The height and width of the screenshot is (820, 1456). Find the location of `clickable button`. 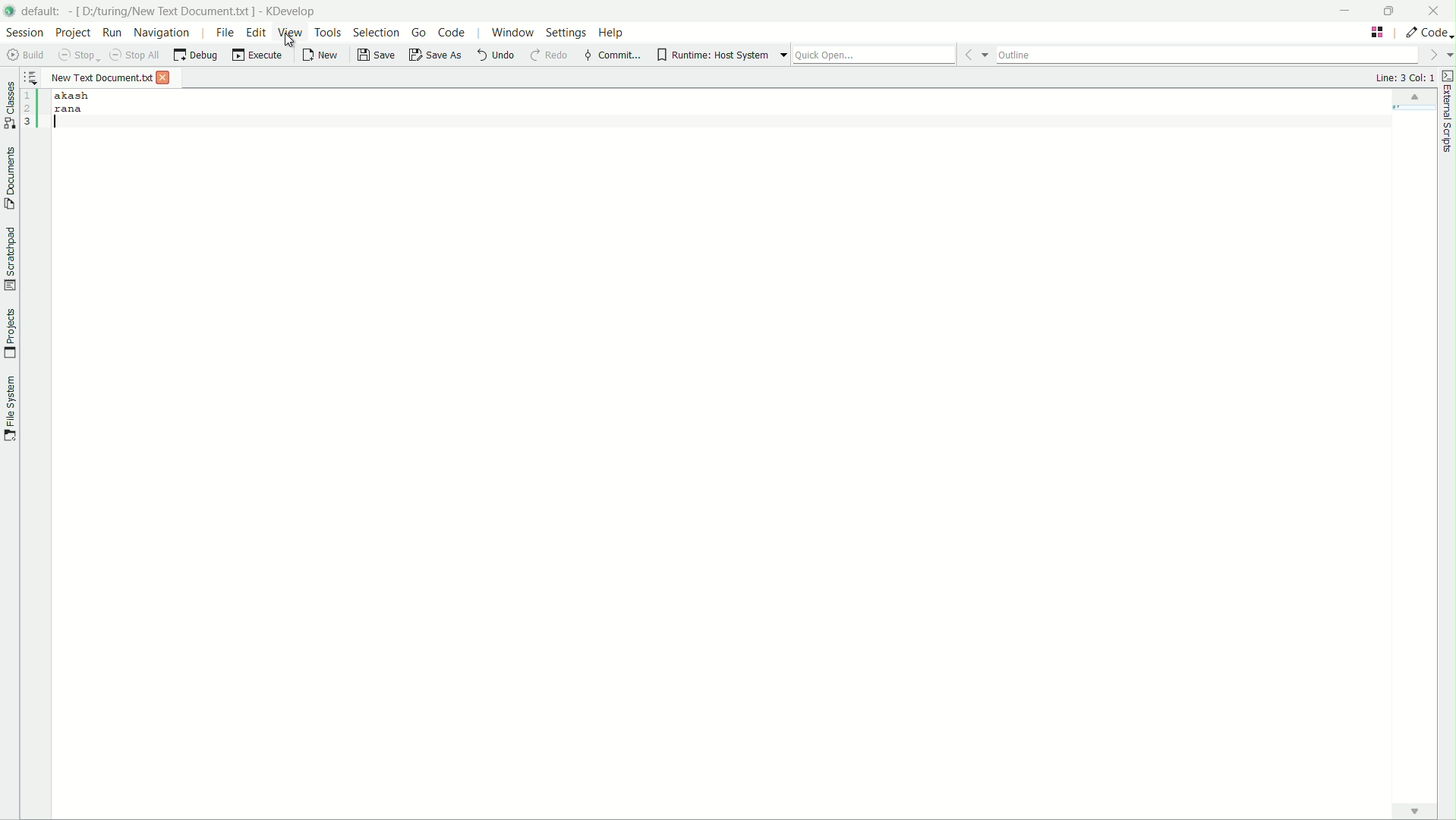

clickable button is located at coordinates (1414, 811).